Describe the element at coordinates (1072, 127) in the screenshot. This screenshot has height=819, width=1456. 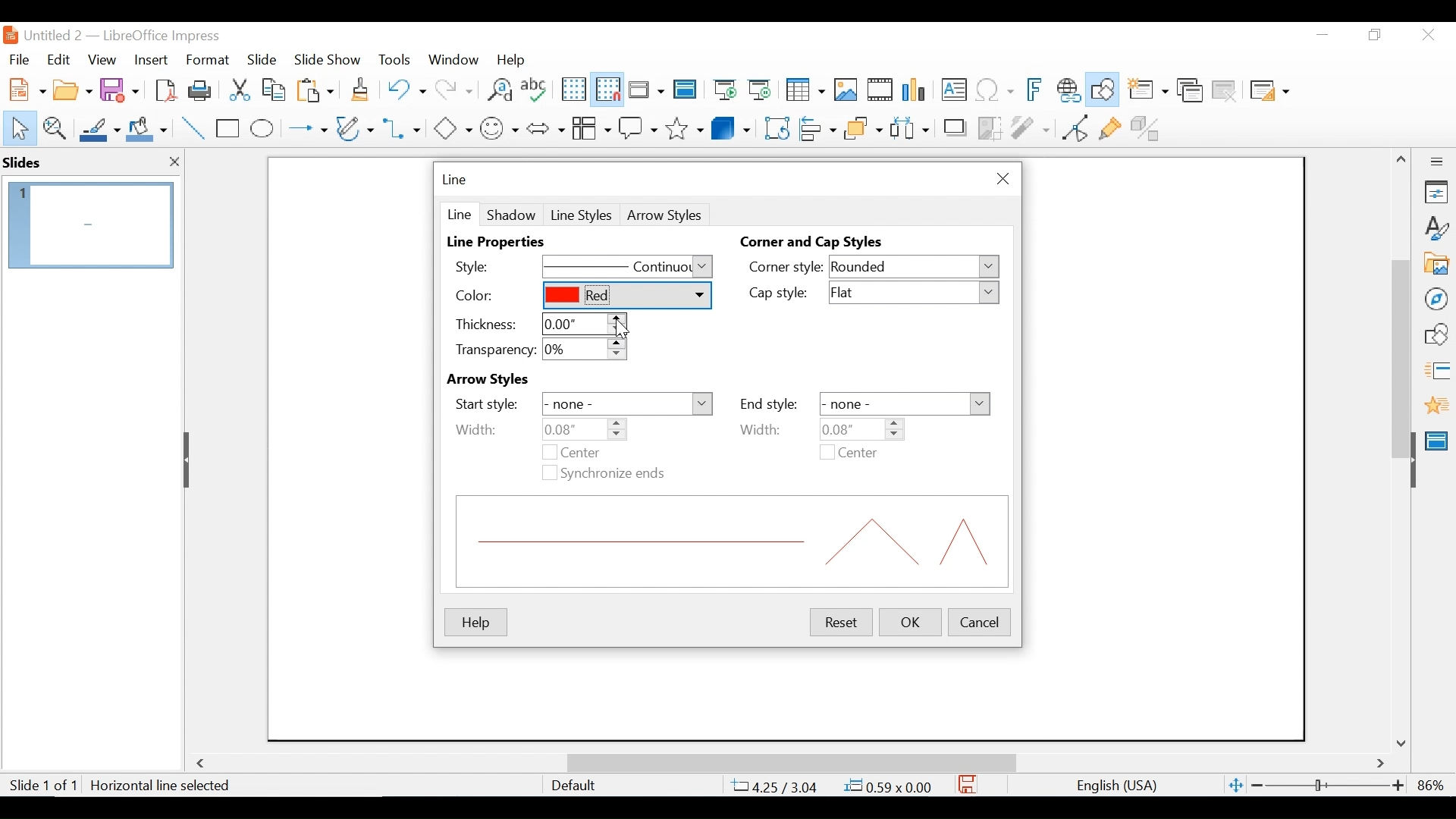
I see `Toggle point Endpoint` at that location.